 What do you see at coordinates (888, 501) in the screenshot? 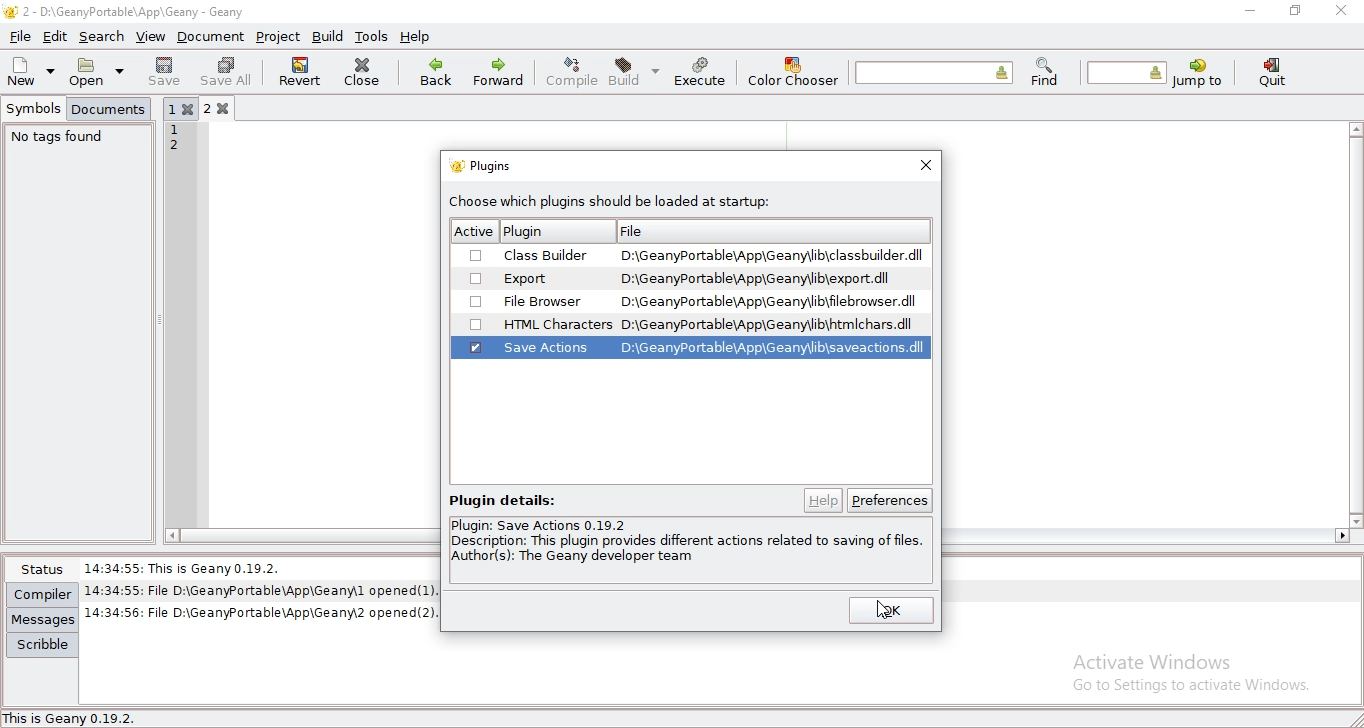
I see `preferences` at bounding box center [888, 501].